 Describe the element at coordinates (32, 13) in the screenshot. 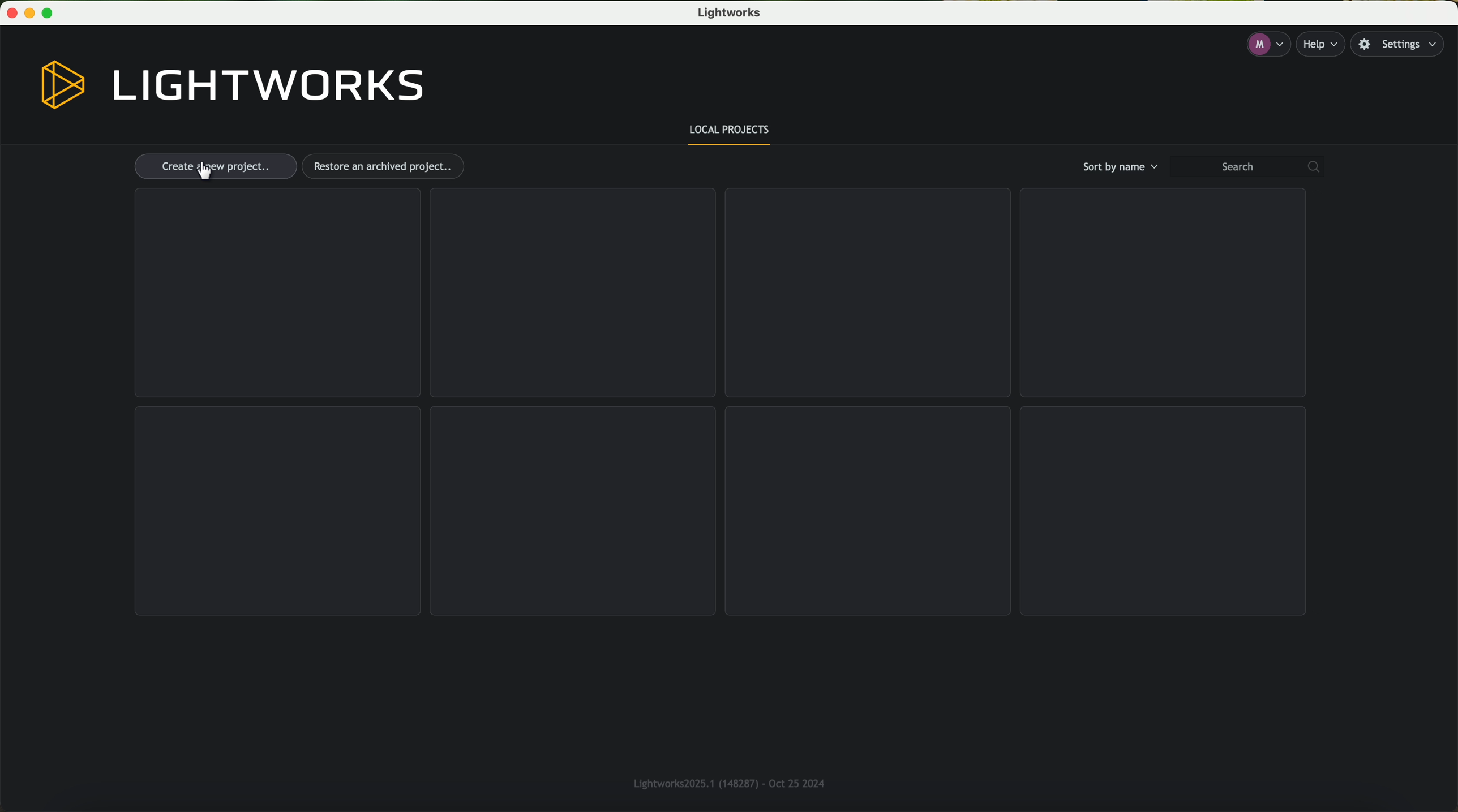

I see `minimize` at that location.